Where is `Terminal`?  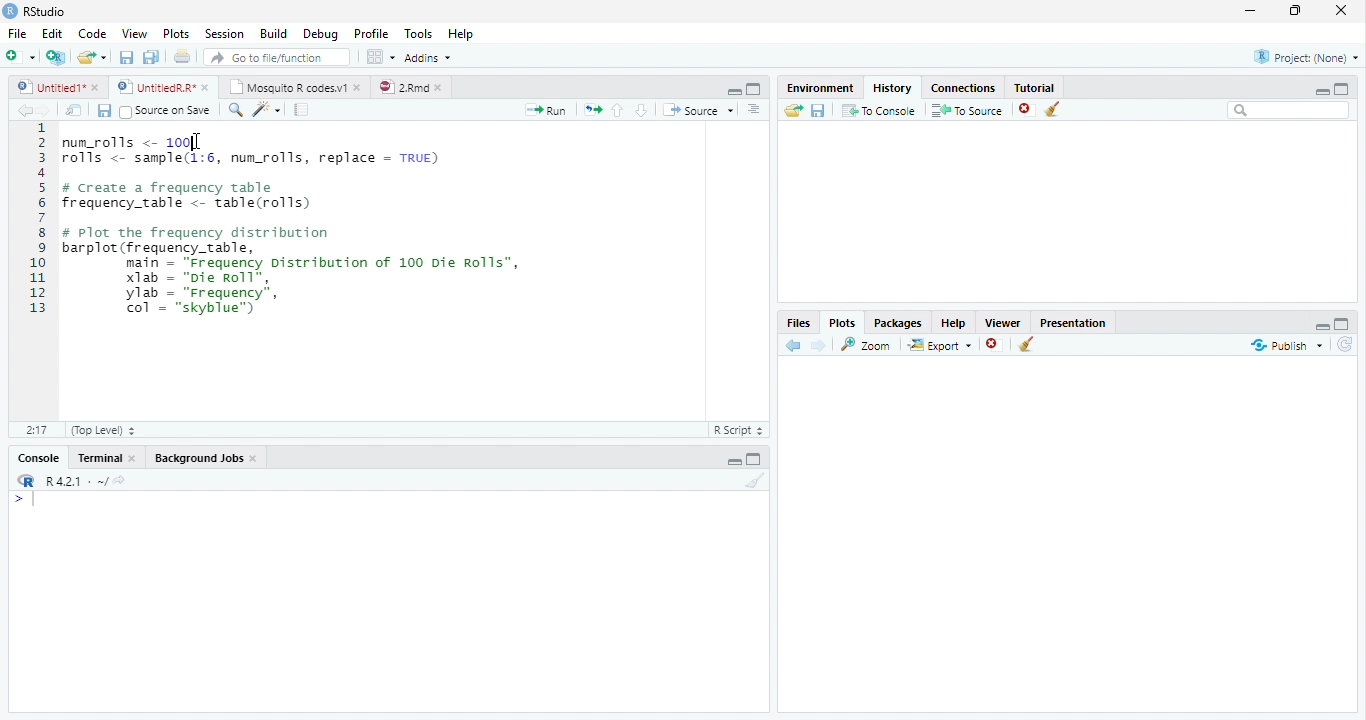 Terminal is located at coordinates (109, 457).